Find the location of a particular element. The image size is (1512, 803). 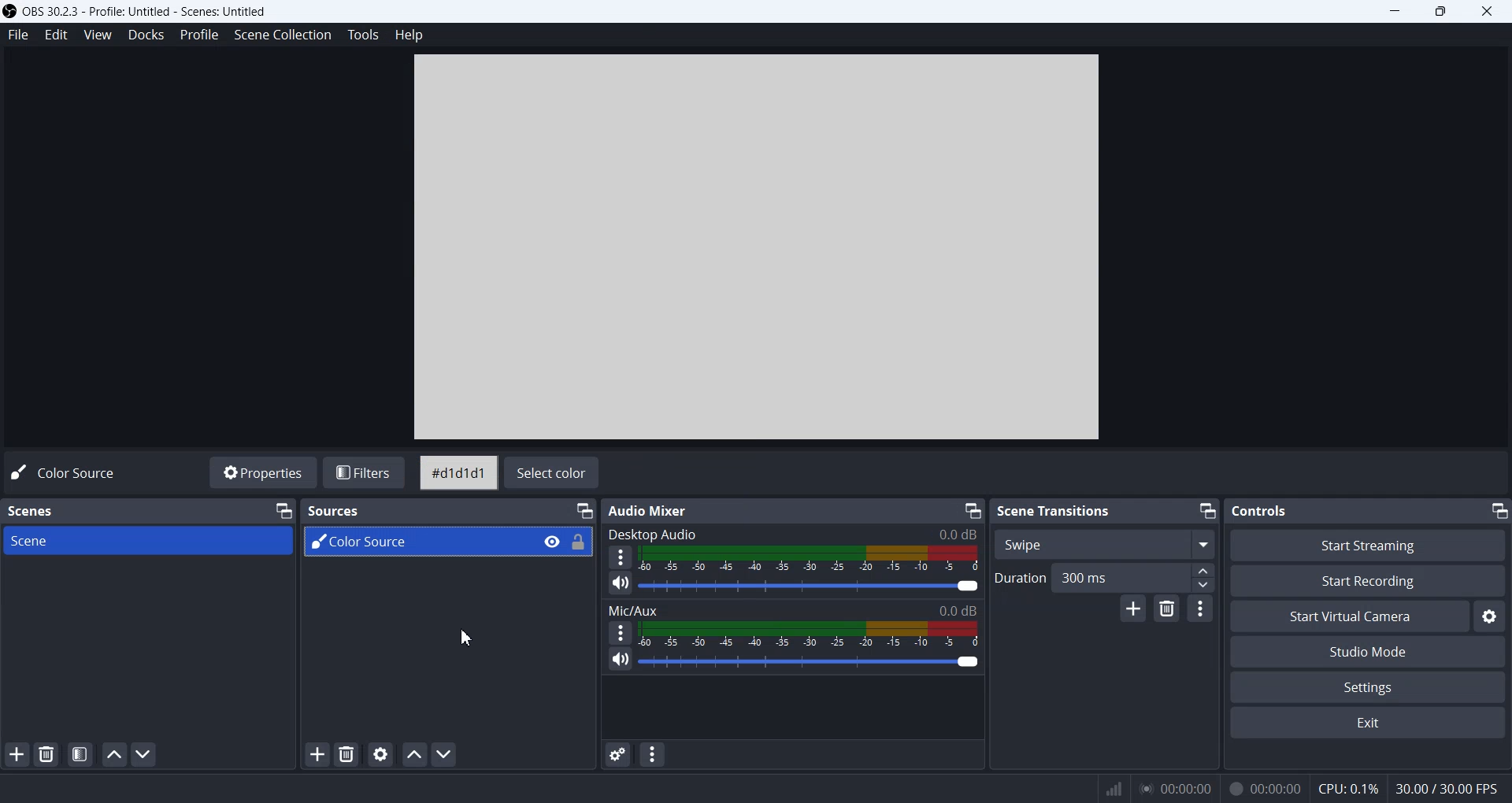

Minimize is located at coordinates (1499, 512).